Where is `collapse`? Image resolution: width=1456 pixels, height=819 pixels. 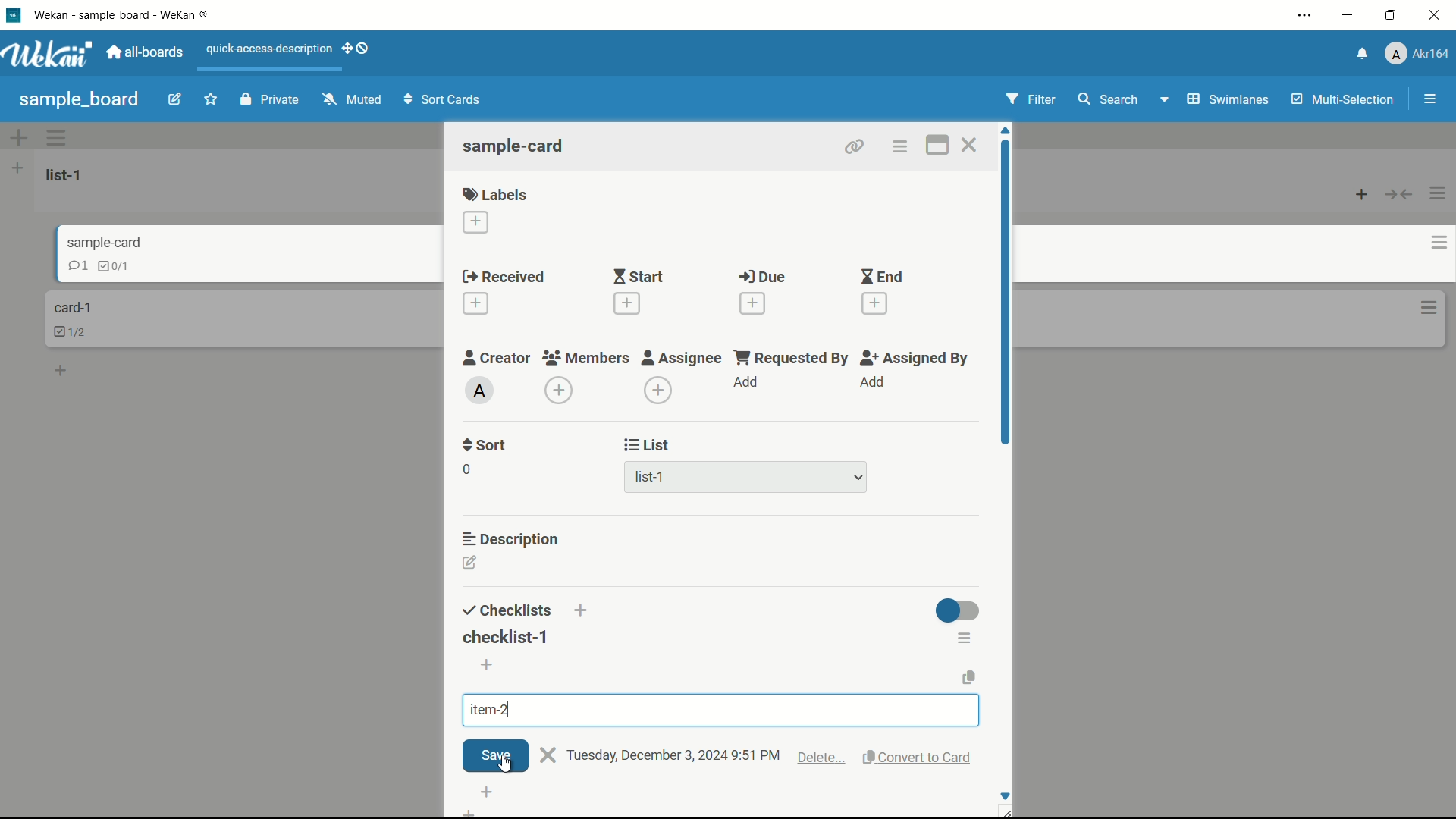
collapse is located at coordinates (1399, 196).